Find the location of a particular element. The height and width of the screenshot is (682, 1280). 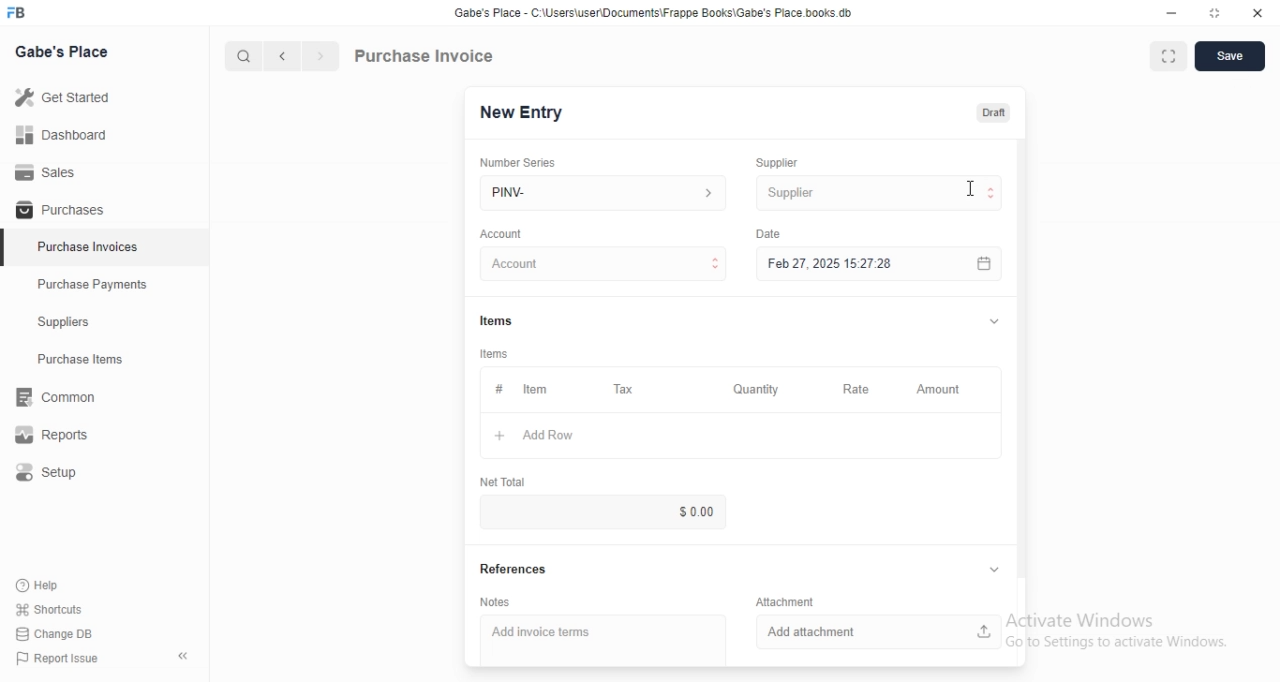

Add attachment is located at coordinates (879, 632).